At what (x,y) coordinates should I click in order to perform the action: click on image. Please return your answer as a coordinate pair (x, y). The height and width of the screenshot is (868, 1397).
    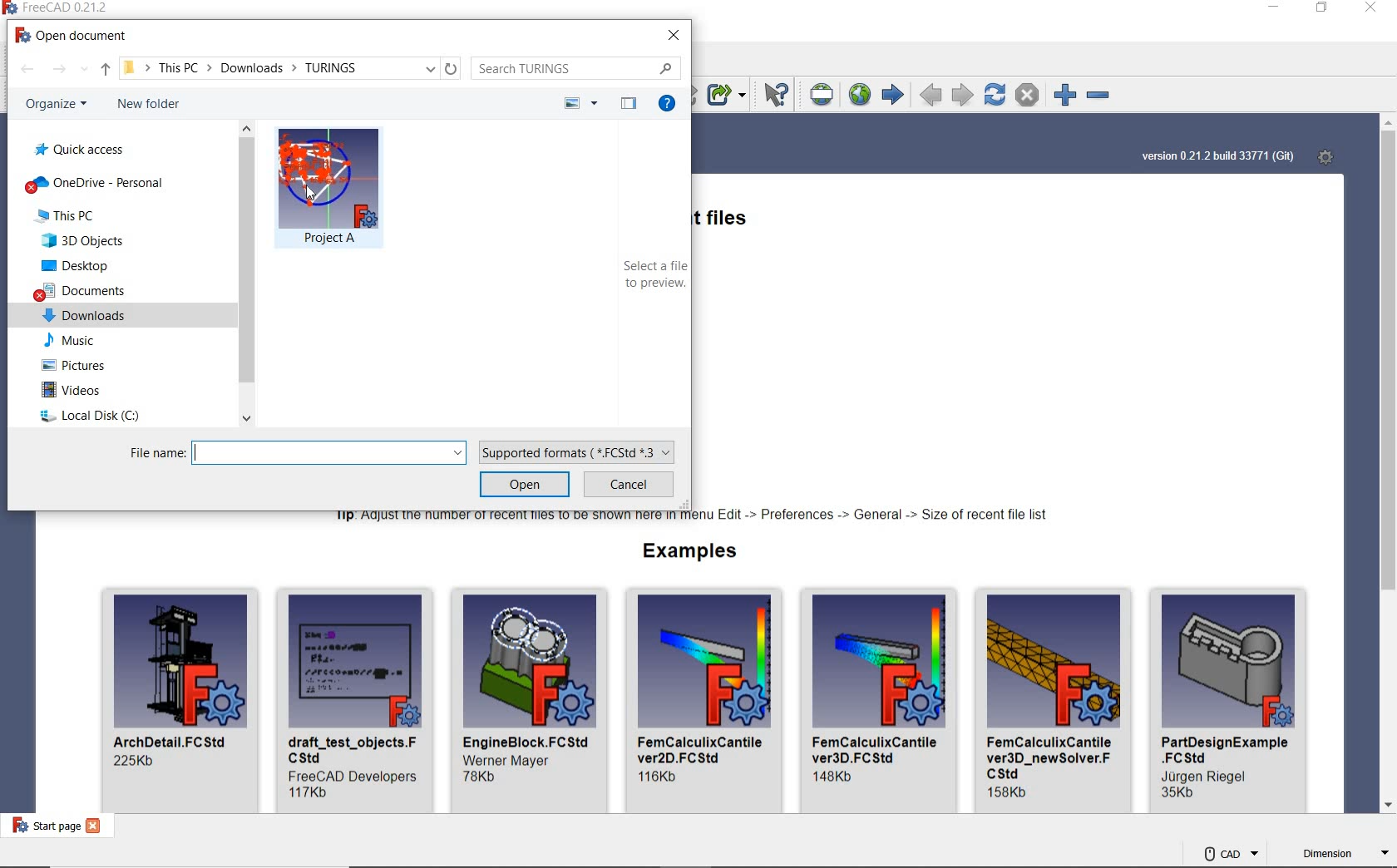
    Looking at the image, I should click on (180, 662).